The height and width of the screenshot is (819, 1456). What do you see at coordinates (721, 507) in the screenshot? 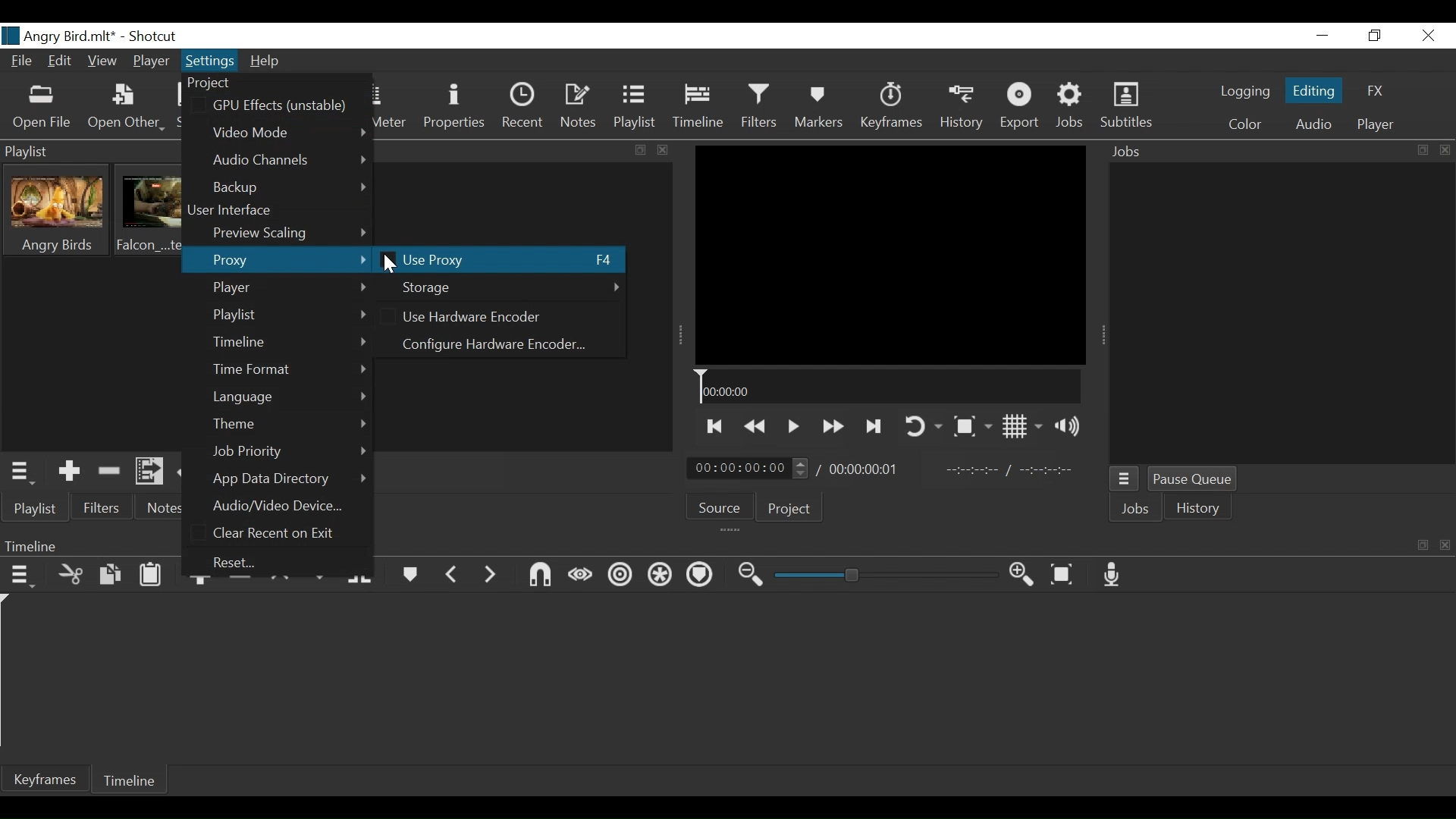
I see `Source` at bounding box center [721, 507].